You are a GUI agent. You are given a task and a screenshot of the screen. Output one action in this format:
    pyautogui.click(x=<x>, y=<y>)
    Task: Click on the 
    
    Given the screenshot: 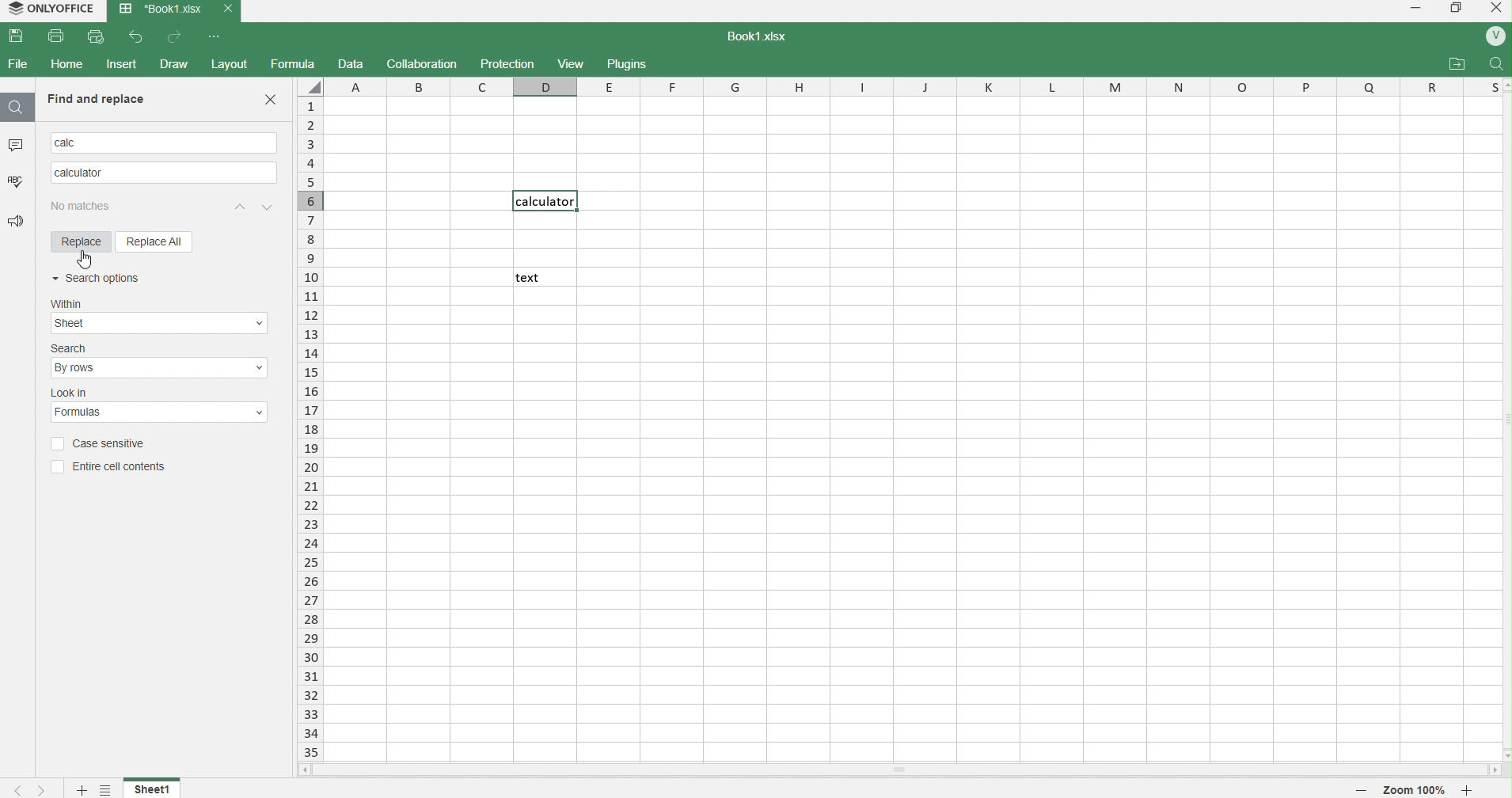 What is the action you would take?
    pyautogui.click(x=50, y=502)
    